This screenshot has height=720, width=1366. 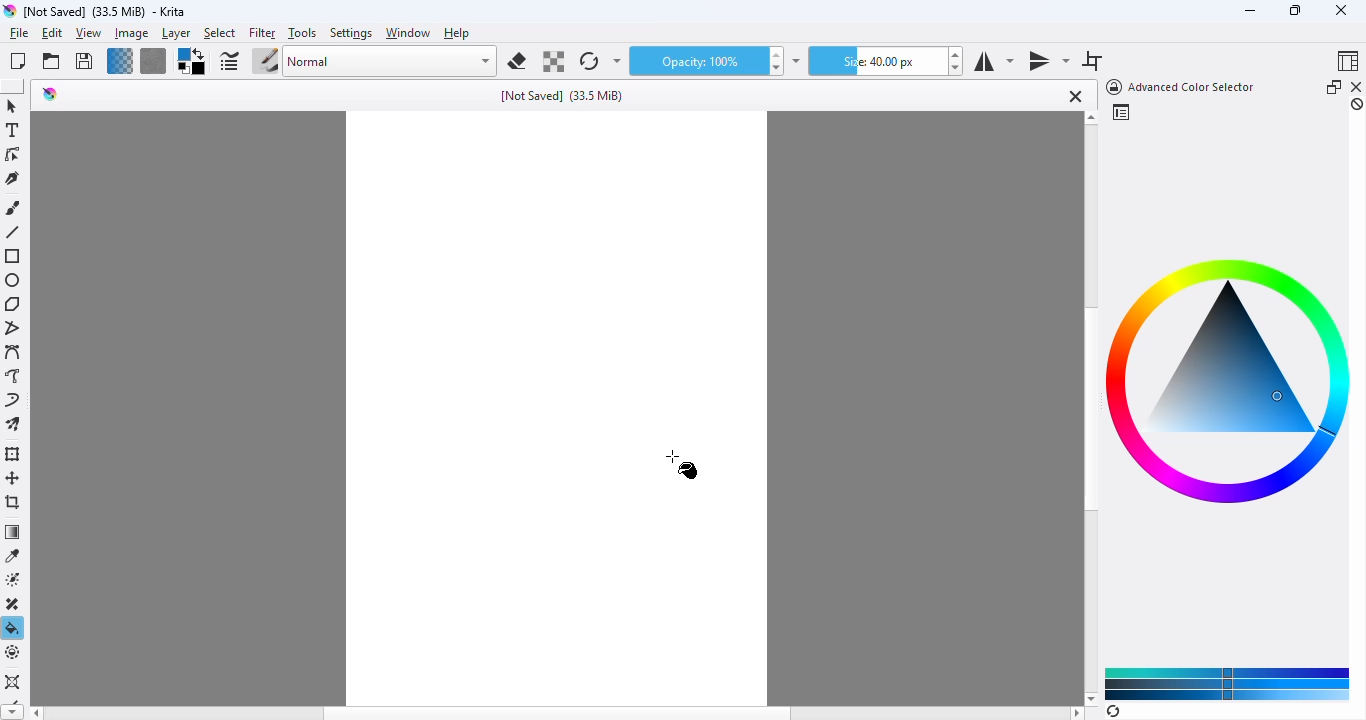 I want to click on horizontal mirror tool, so click(x=993, y=62).